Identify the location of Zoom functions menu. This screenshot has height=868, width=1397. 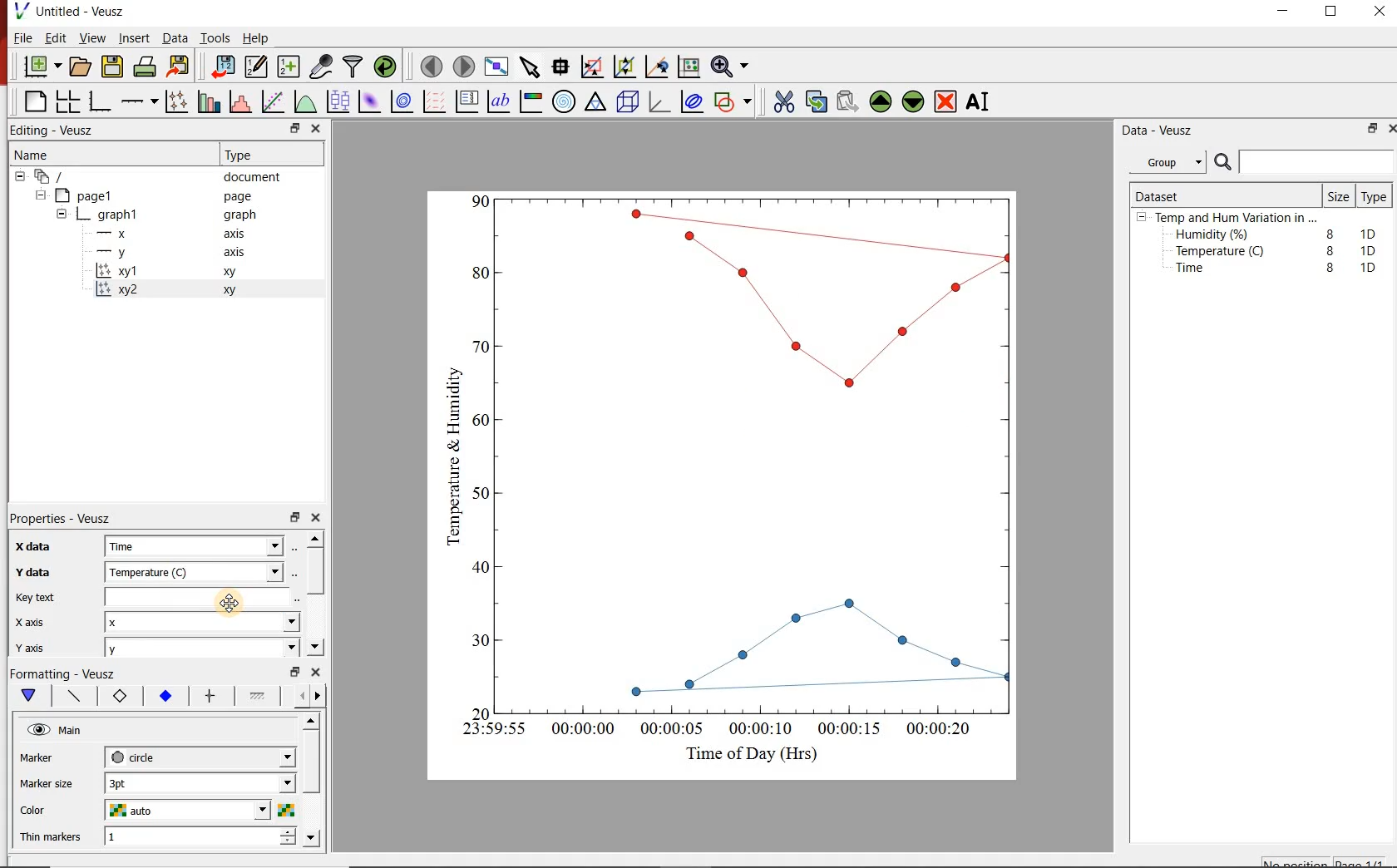
(729, 66).